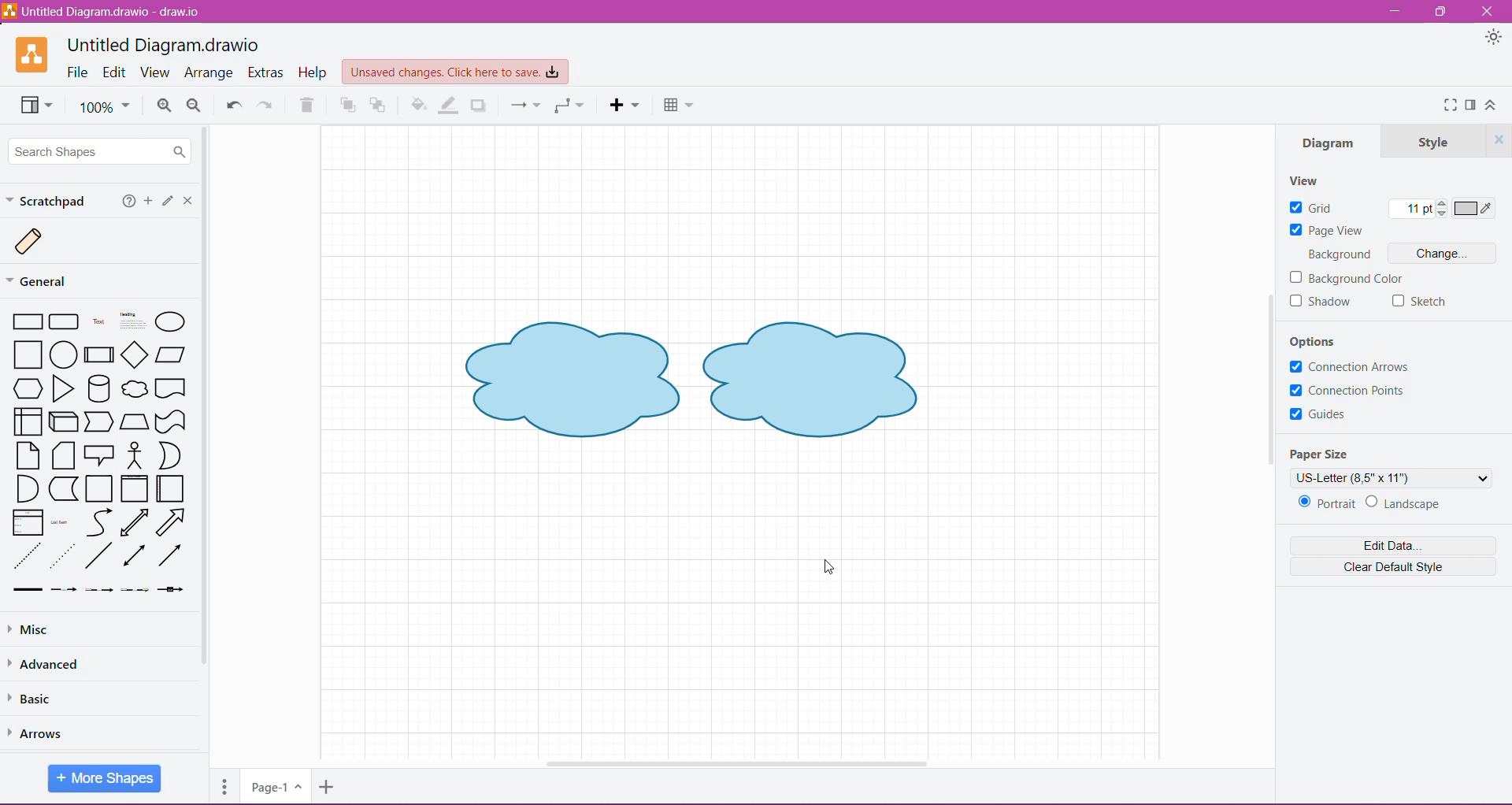 The height and width of the screenshot is (805, 1512). I want to click on Connection Arrows, so click(1350, 365).